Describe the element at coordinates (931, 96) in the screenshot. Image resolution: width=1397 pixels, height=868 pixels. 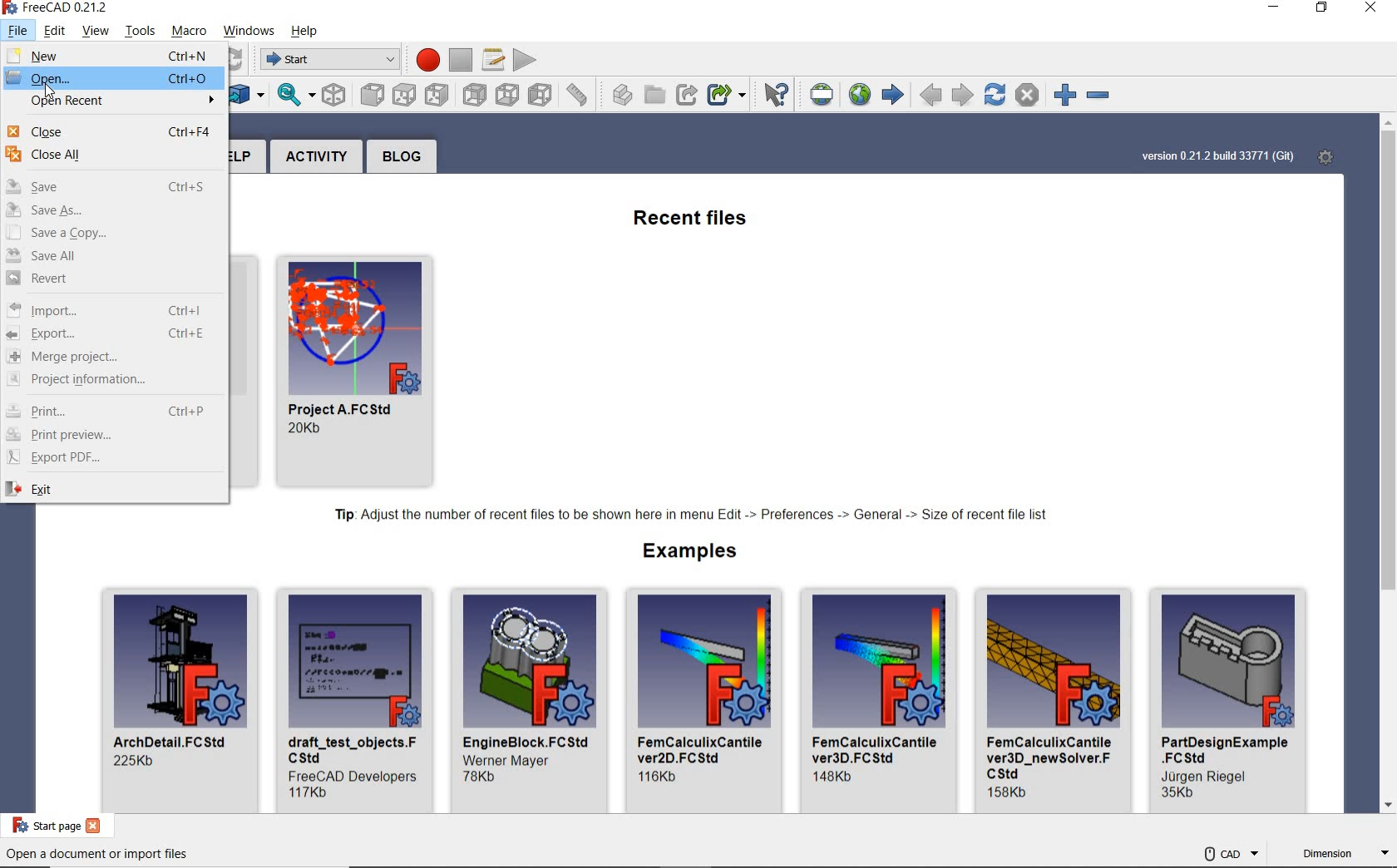
I see `PREVIOUS PAGE` at that location.